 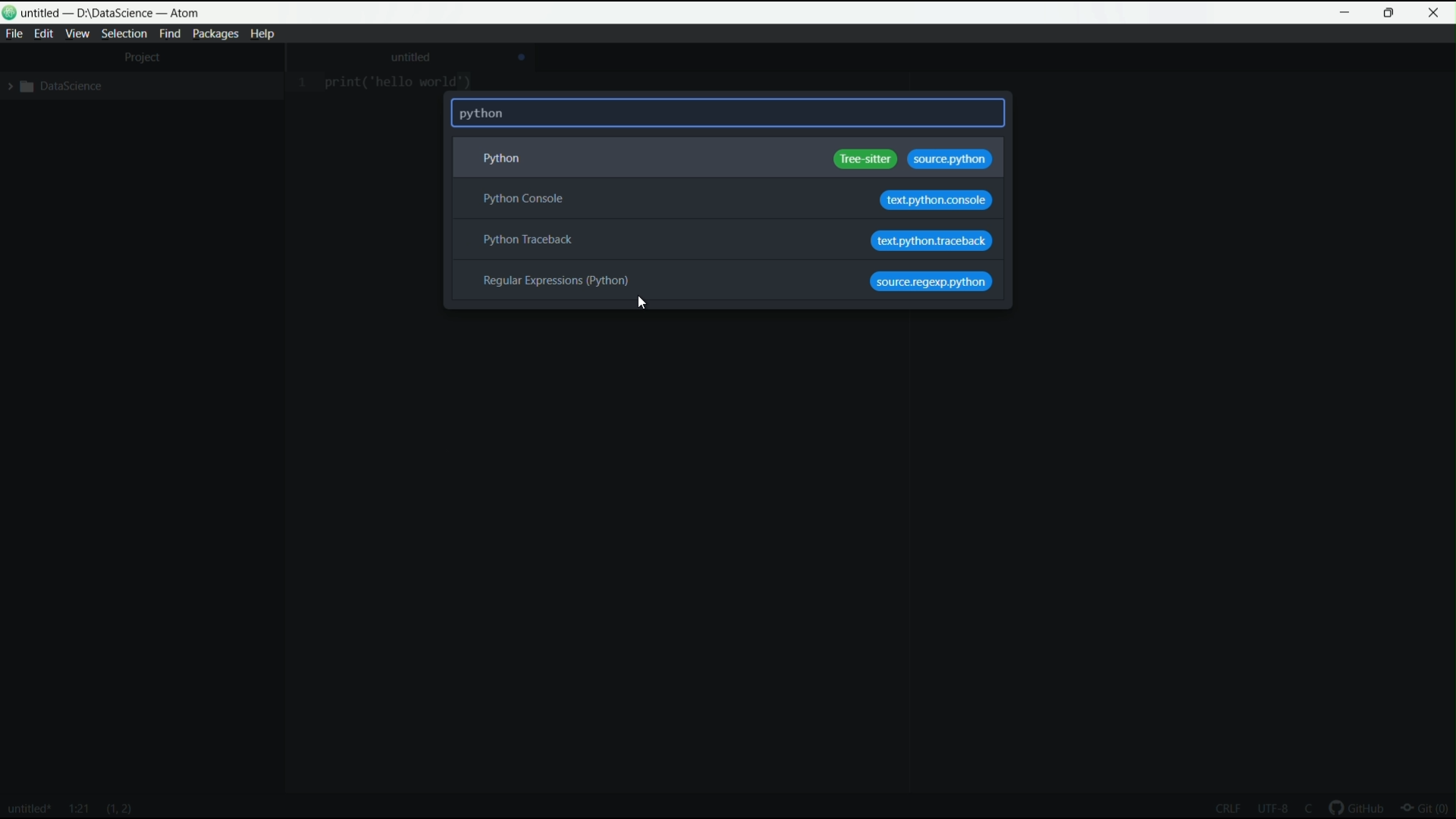 What do you see at coordinates (77, 34) in the screenshot?
I see `view menu` at bounding box center [77, 34].